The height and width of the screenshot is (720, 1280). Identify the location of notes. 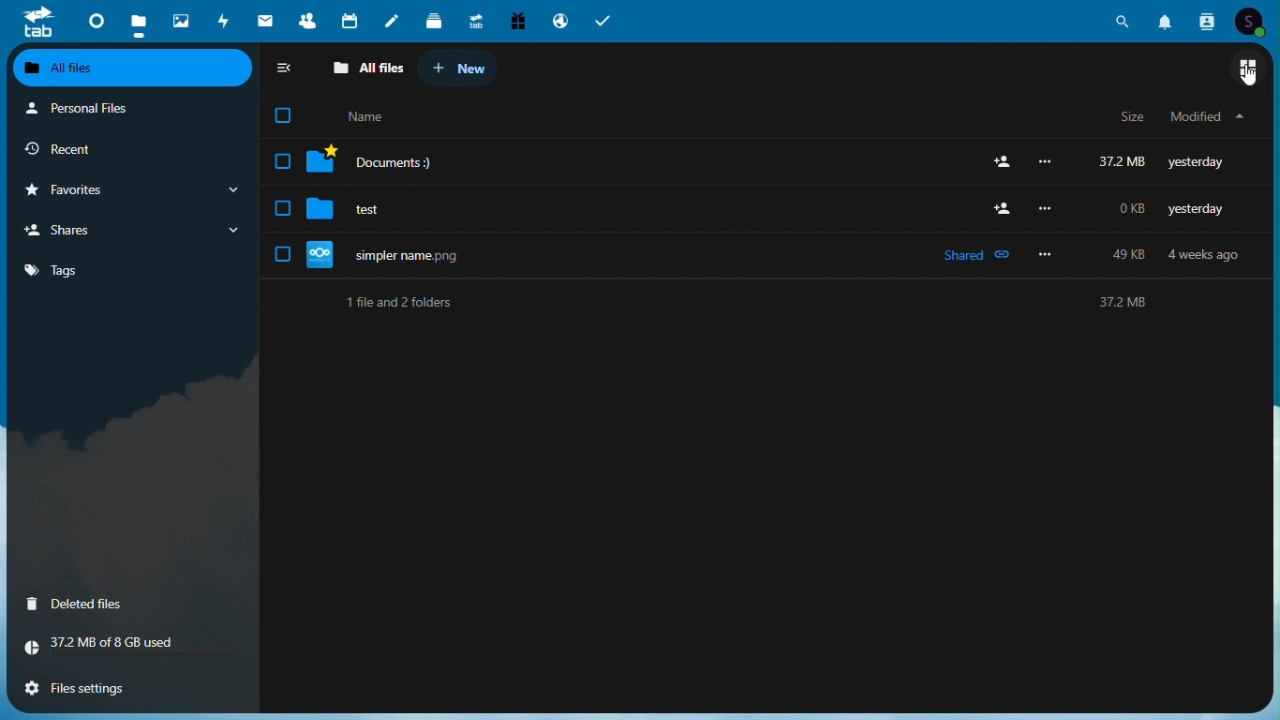
(391, 19).